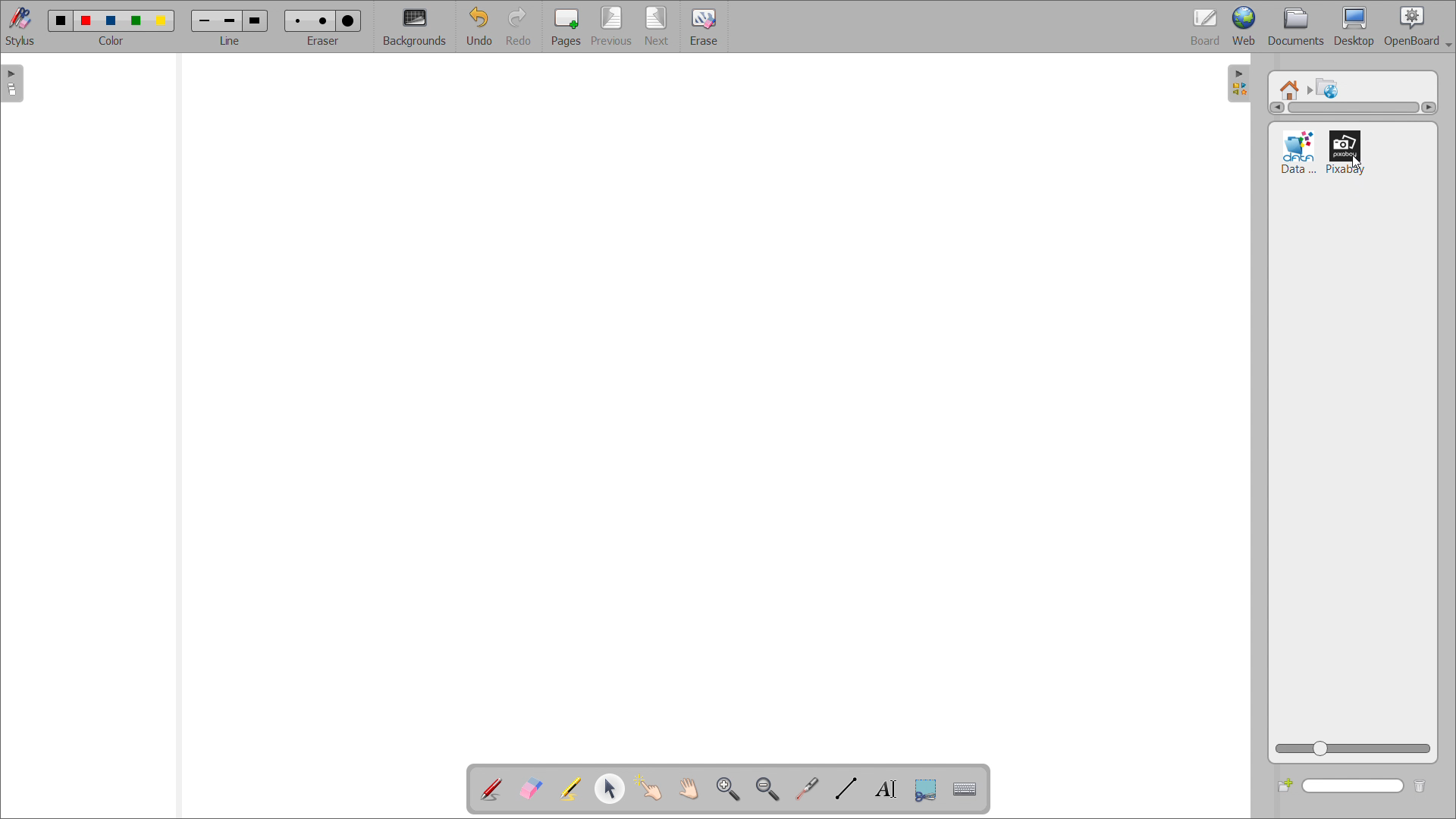 The width and height of the screenshot is (1456, 819). Describe the element at coordinates (479, 27) in the screenshot. I see `undo` at that location.